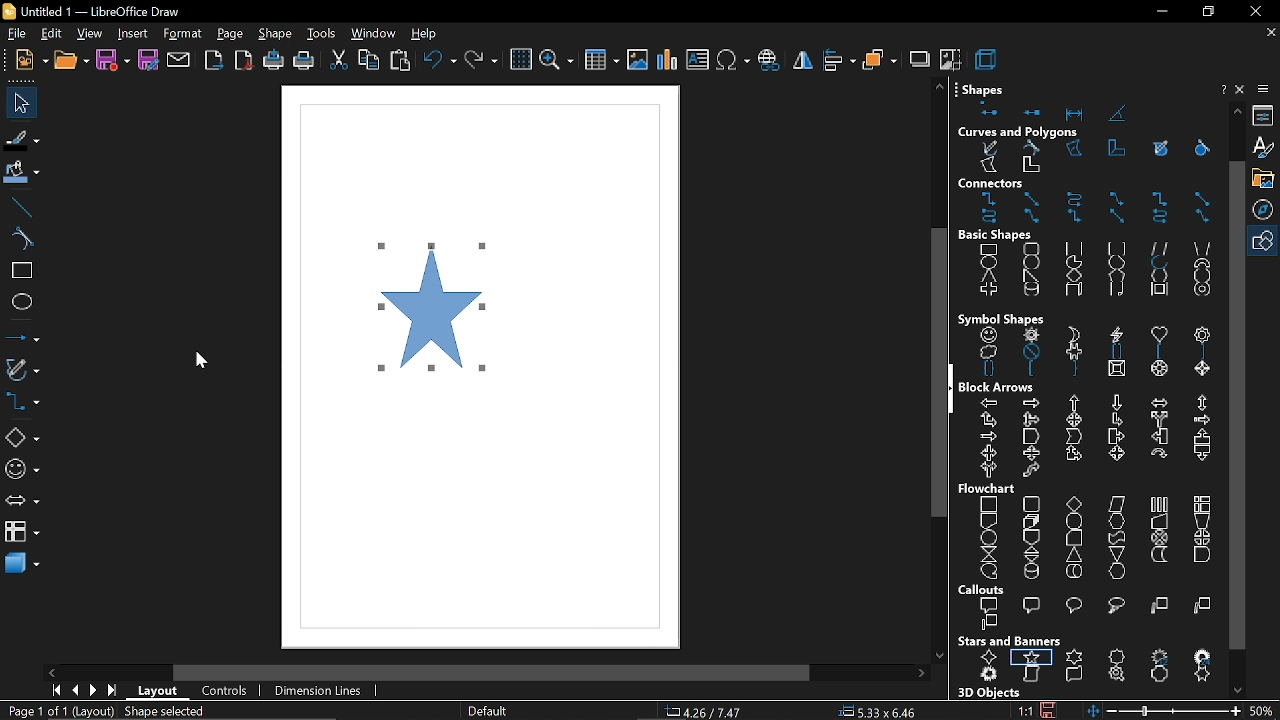 The image size is (1280, 720). I want to click on flowchart, so click(21, 530).